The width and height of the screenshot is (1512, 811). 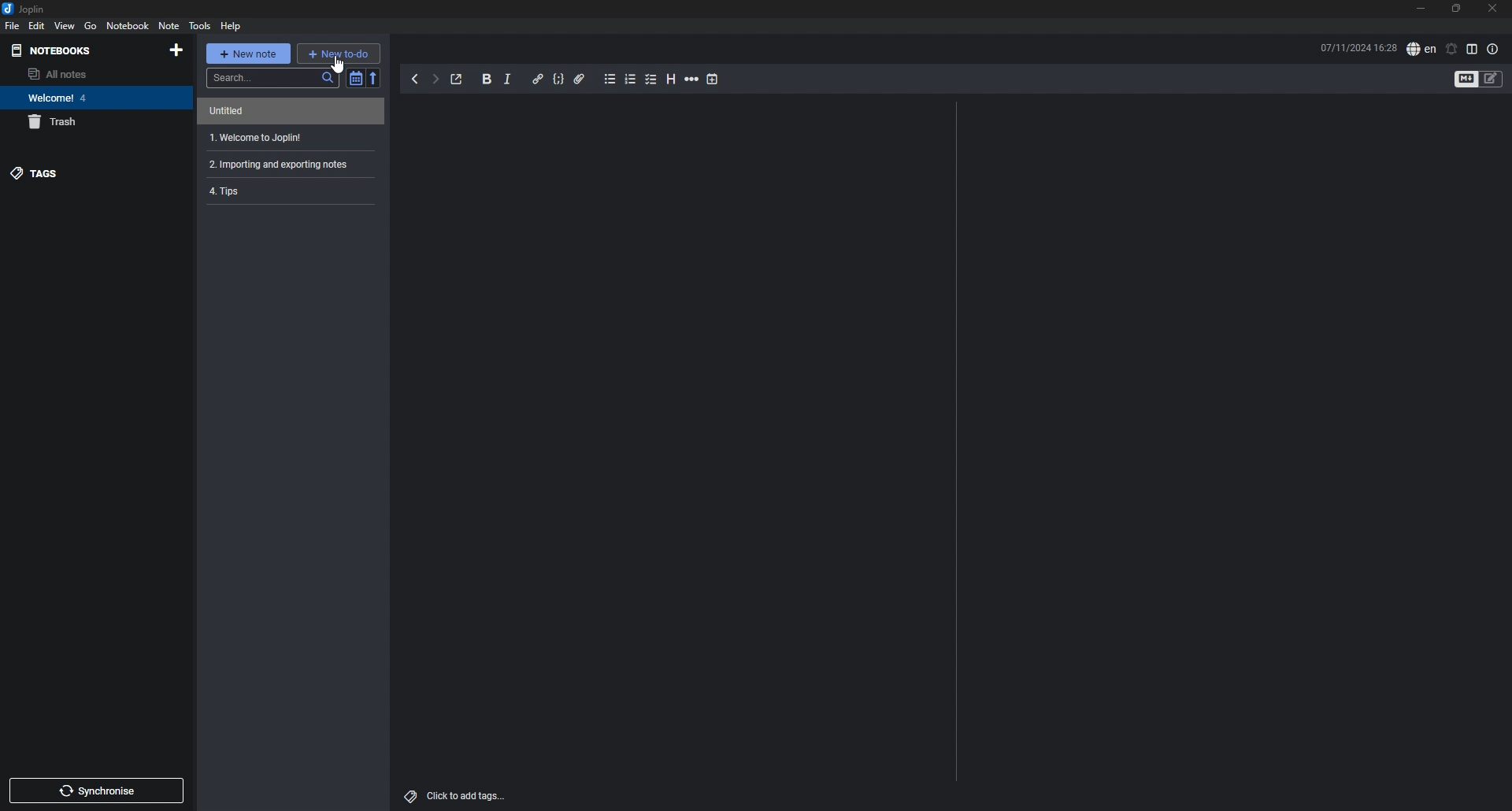 What do you see at coordinates (12, 26) in the screenshot?
I see `file` at bounding box center [12, 26].